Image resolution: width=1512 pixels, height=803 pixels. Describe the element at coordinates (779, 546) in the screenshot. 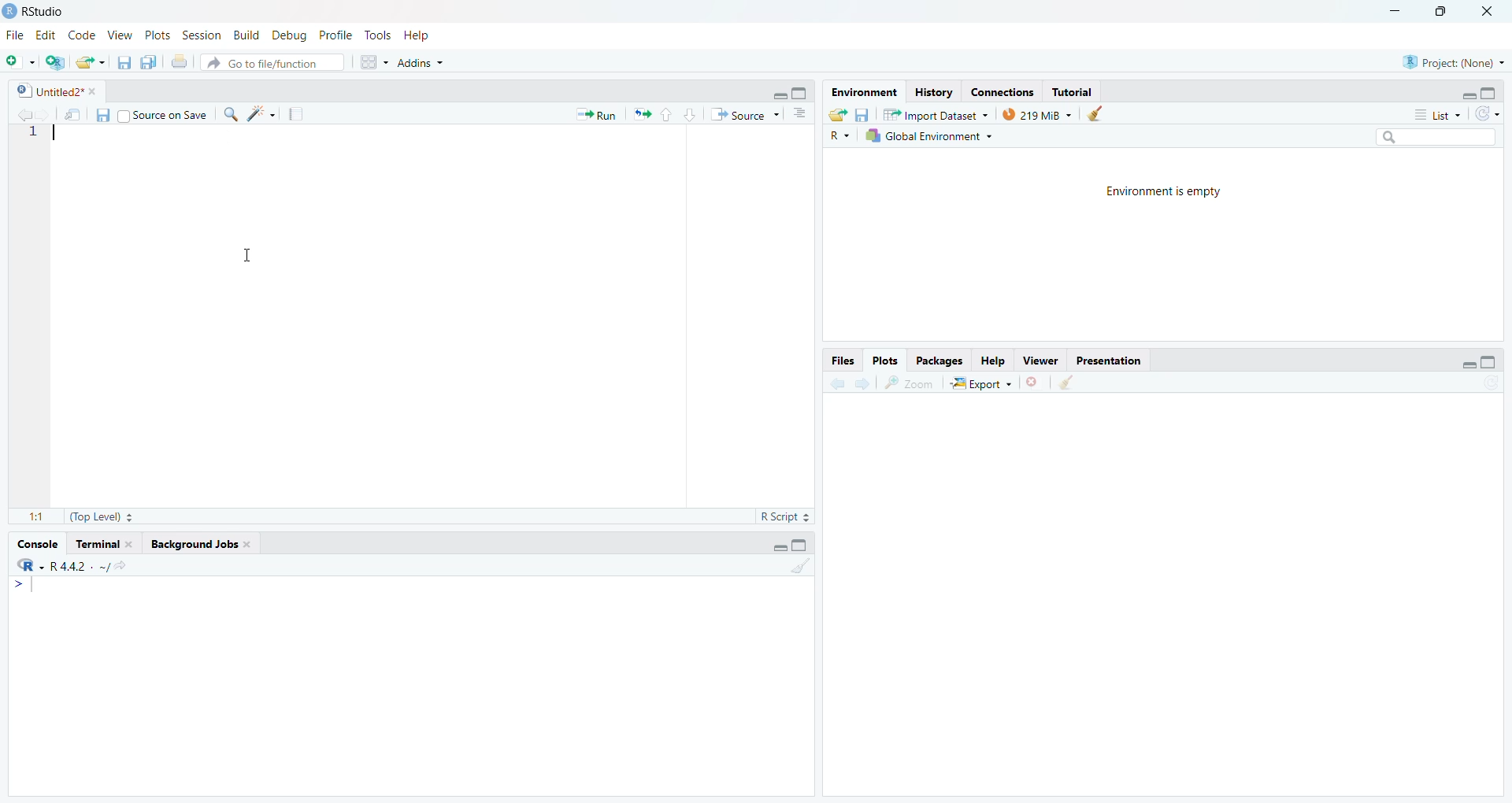

I see `Hide` at that location.